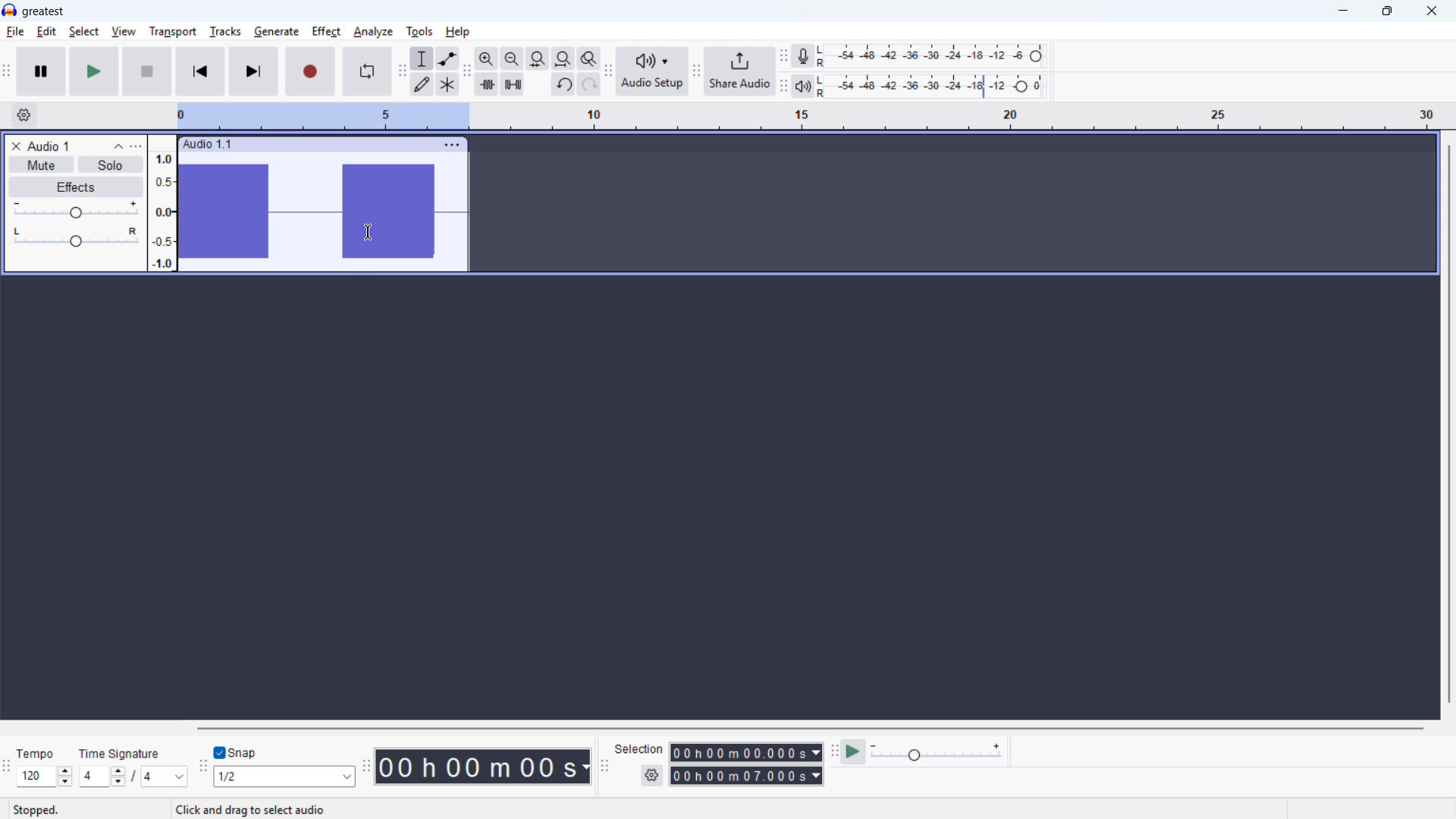 Image resolution: width=1456 pixels, height=819 pixels. What do you see at coordinates (252, 811) in the screenshot?
I see `Click and drag to select audio` at bounding box center [252, 811].